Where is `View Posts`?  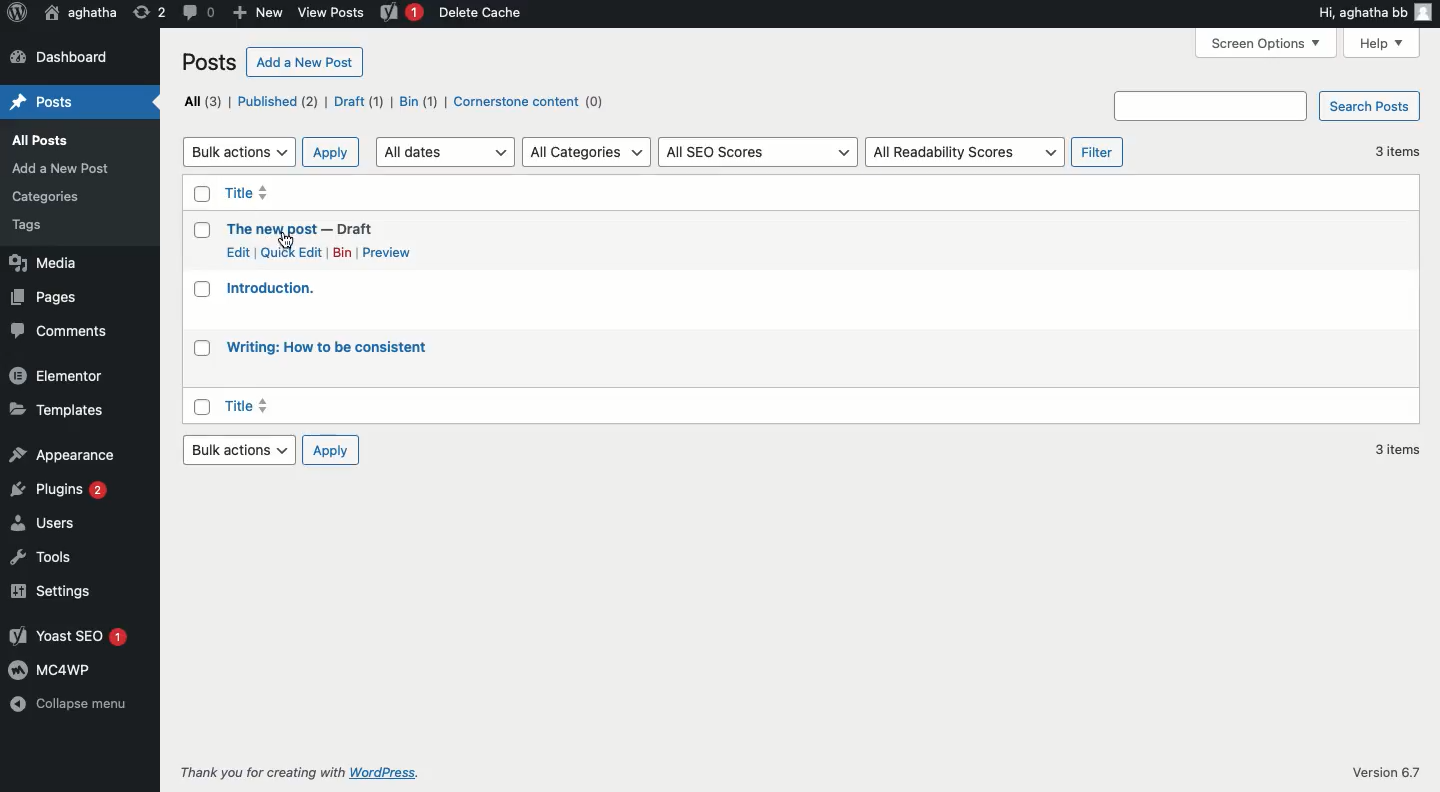
View Posts is located at coordinates (331, 14).